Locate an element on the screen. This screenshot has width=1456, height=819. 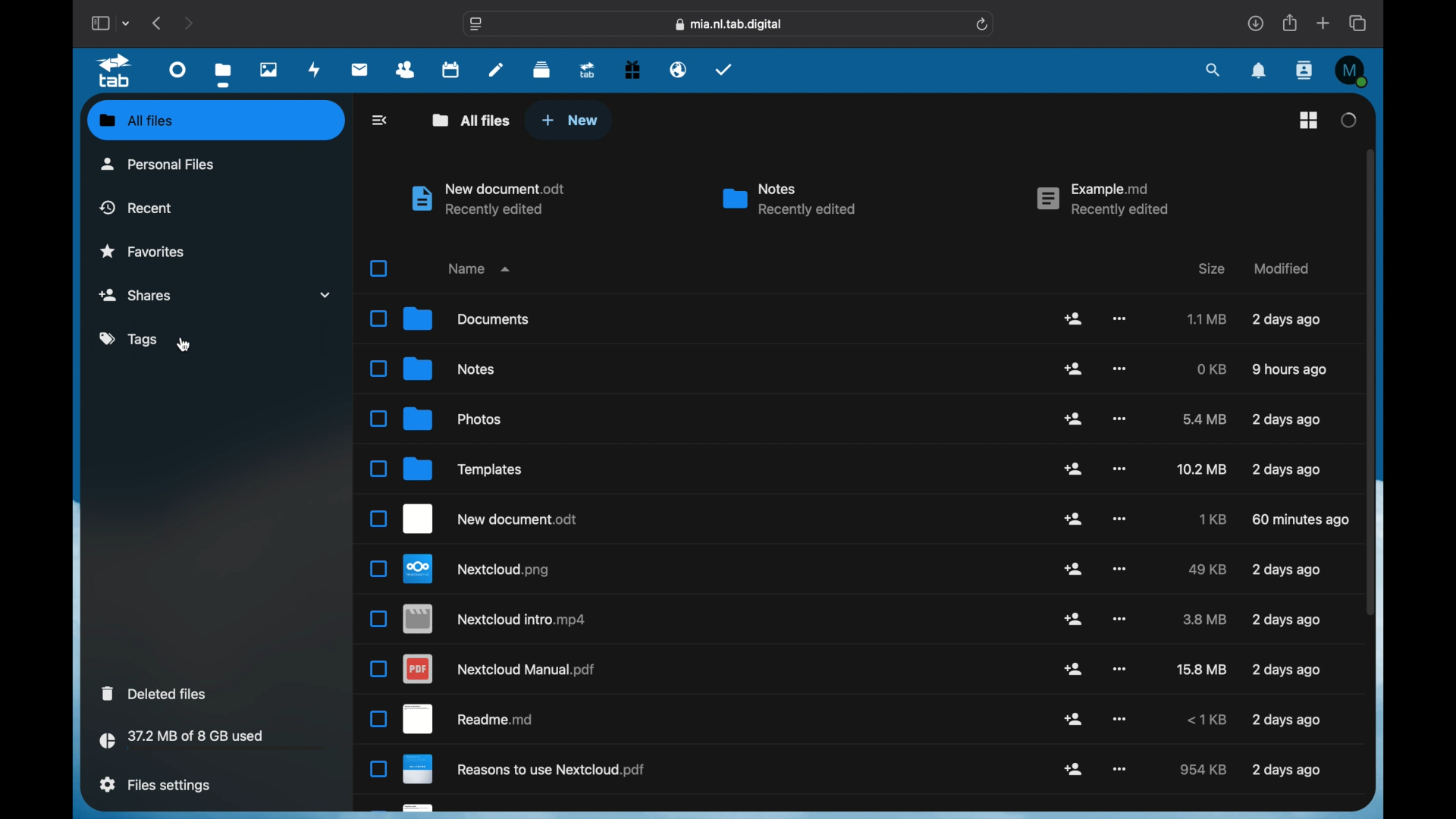
templates is located at coordinates (466, 469).